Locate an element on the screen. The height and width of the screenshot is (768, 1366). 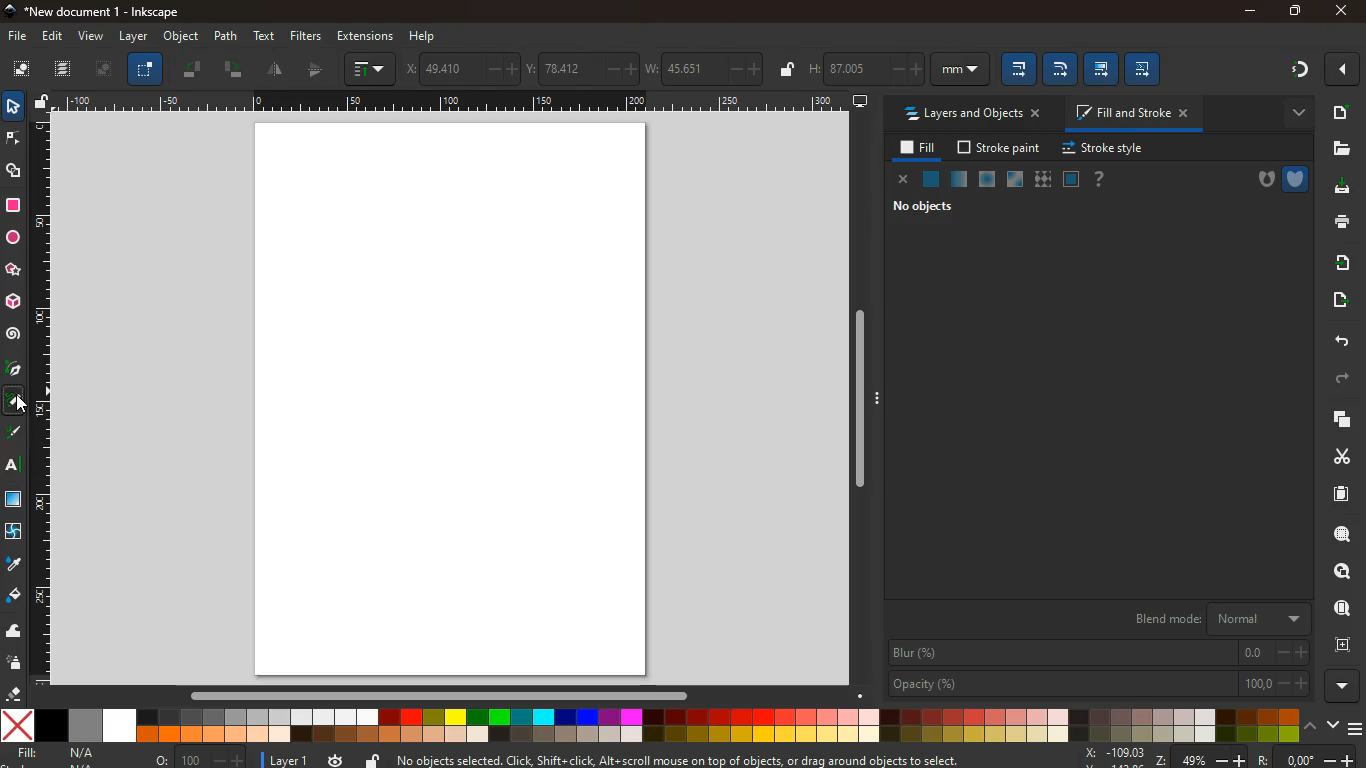
up is located at coordinates (1312, 724).